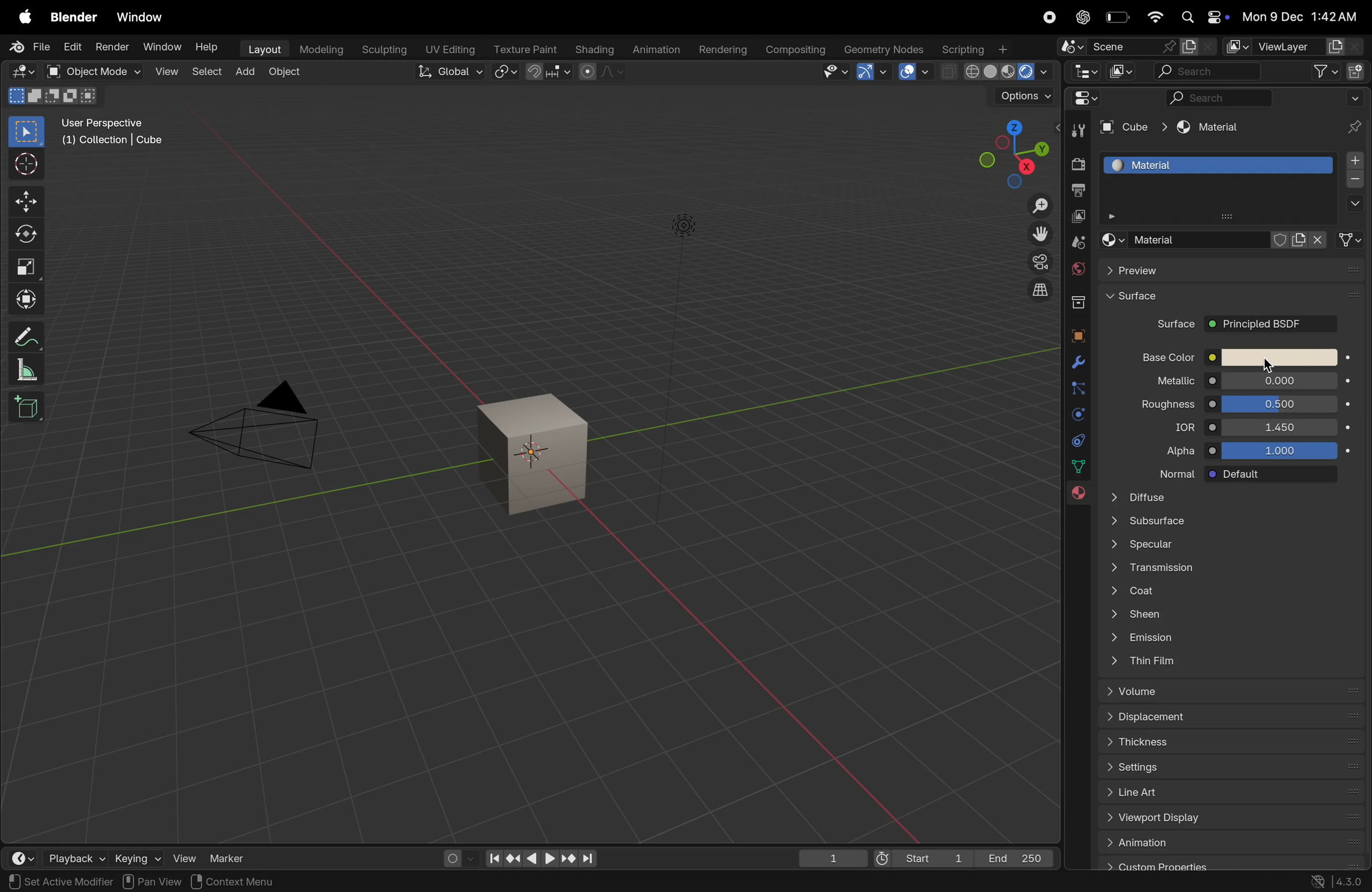  What do you see at coordinates (1352, 240) in the screenshot?
I see `link` at bounding box center [1352, 240].